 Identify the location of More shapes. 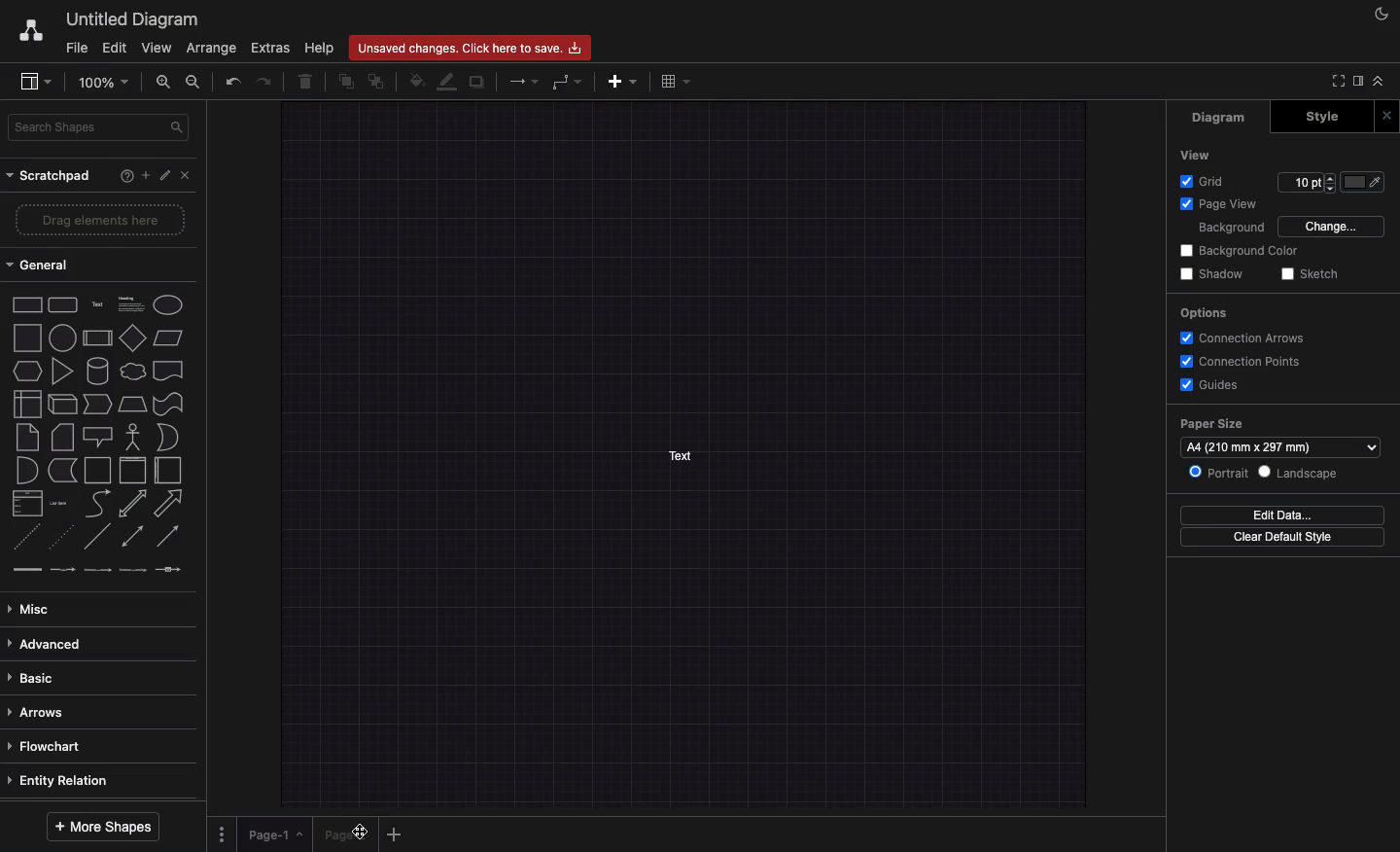
(99, 827).